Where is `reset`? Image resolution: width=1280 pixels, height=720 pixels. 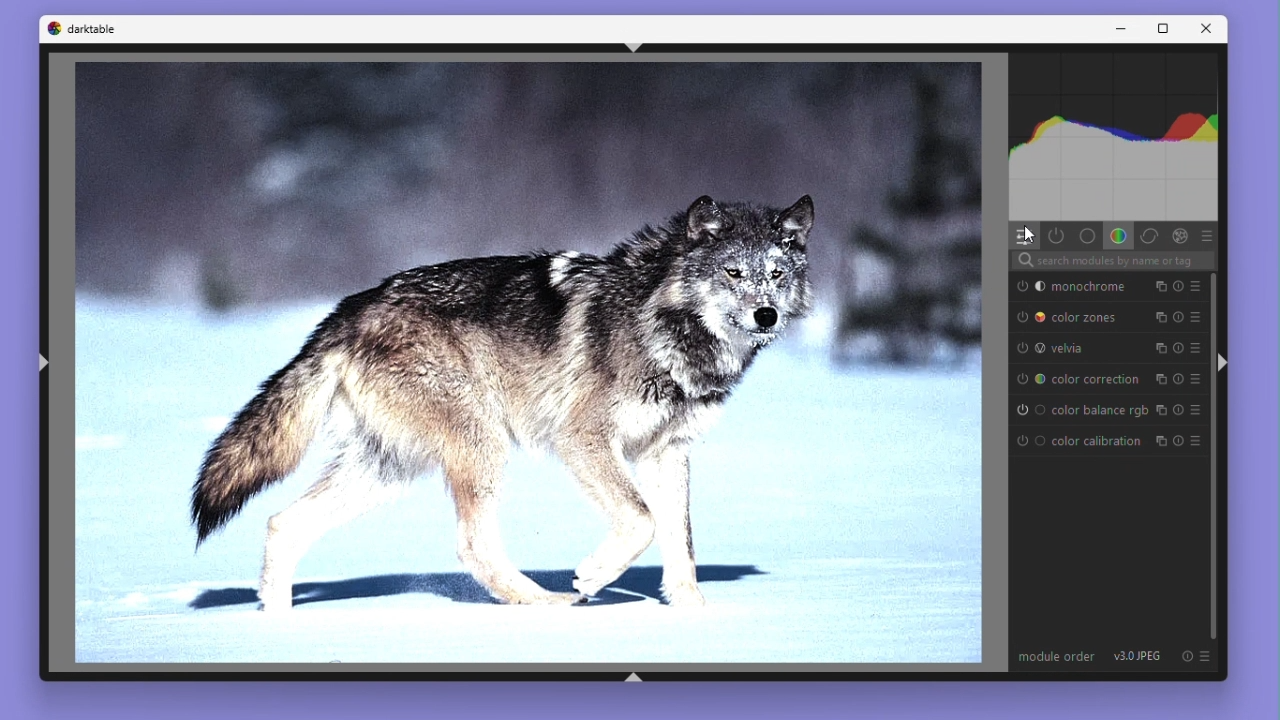 reset is located at coordinates (1178, 409).